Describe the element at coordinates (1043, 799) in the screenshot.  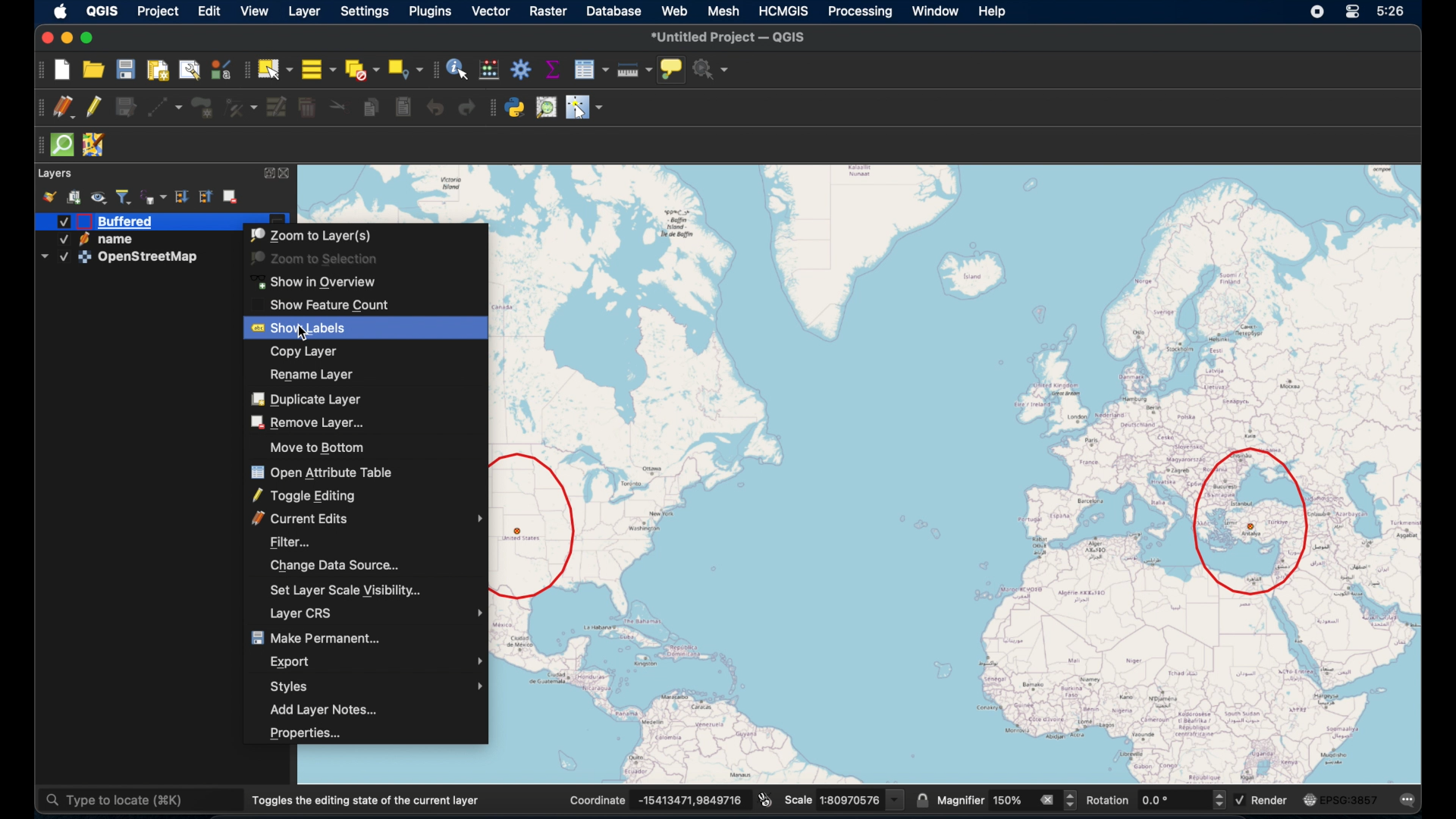
I see `clear all` at that location.